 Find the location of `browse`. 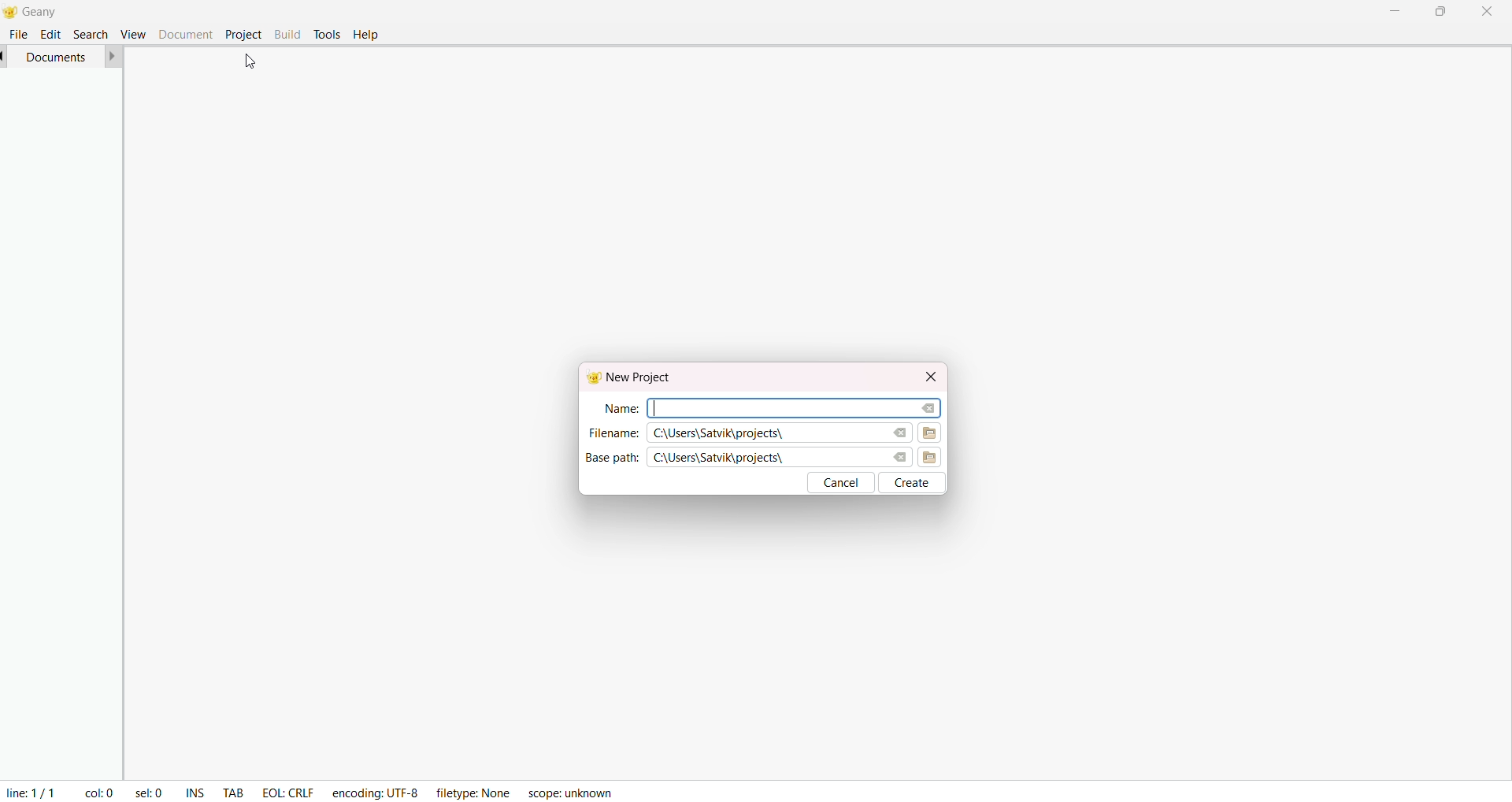

browse is located at coordinates (932, 433).